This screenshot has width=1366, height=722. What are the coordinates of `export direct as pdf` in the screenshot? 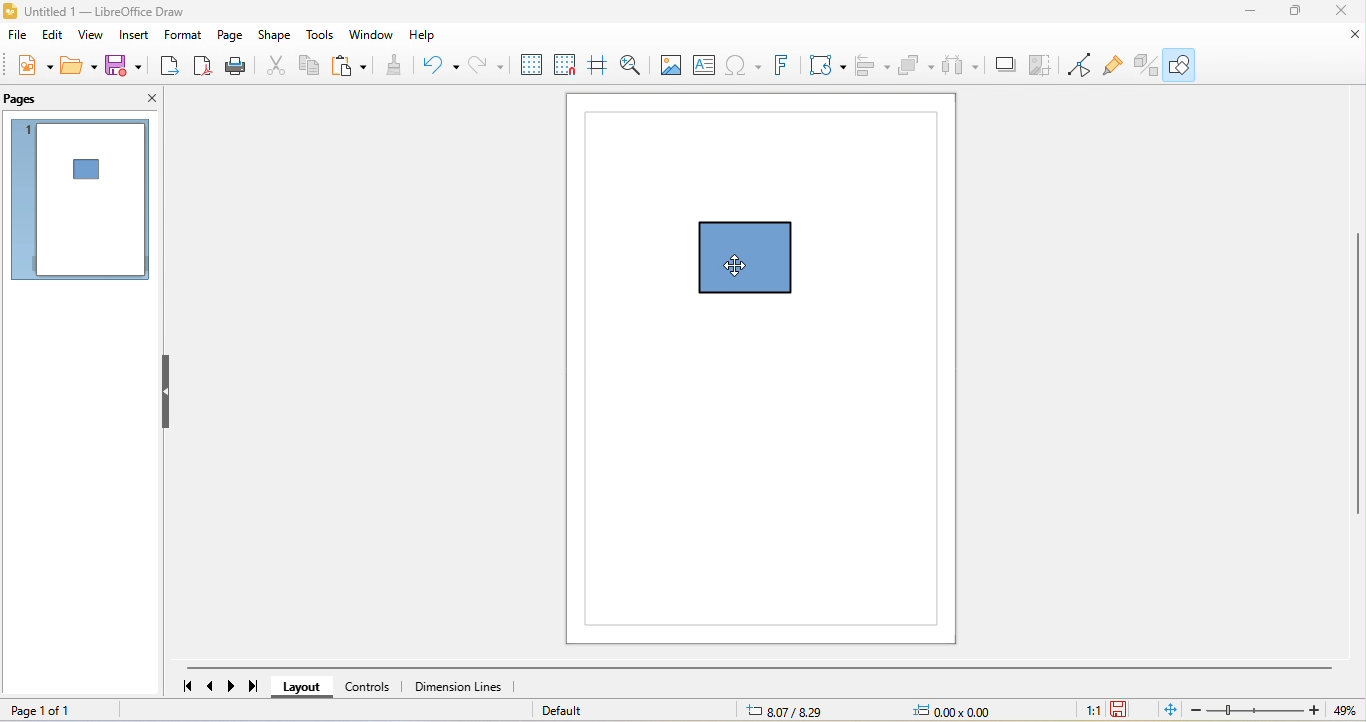 It's located at (203, 68).